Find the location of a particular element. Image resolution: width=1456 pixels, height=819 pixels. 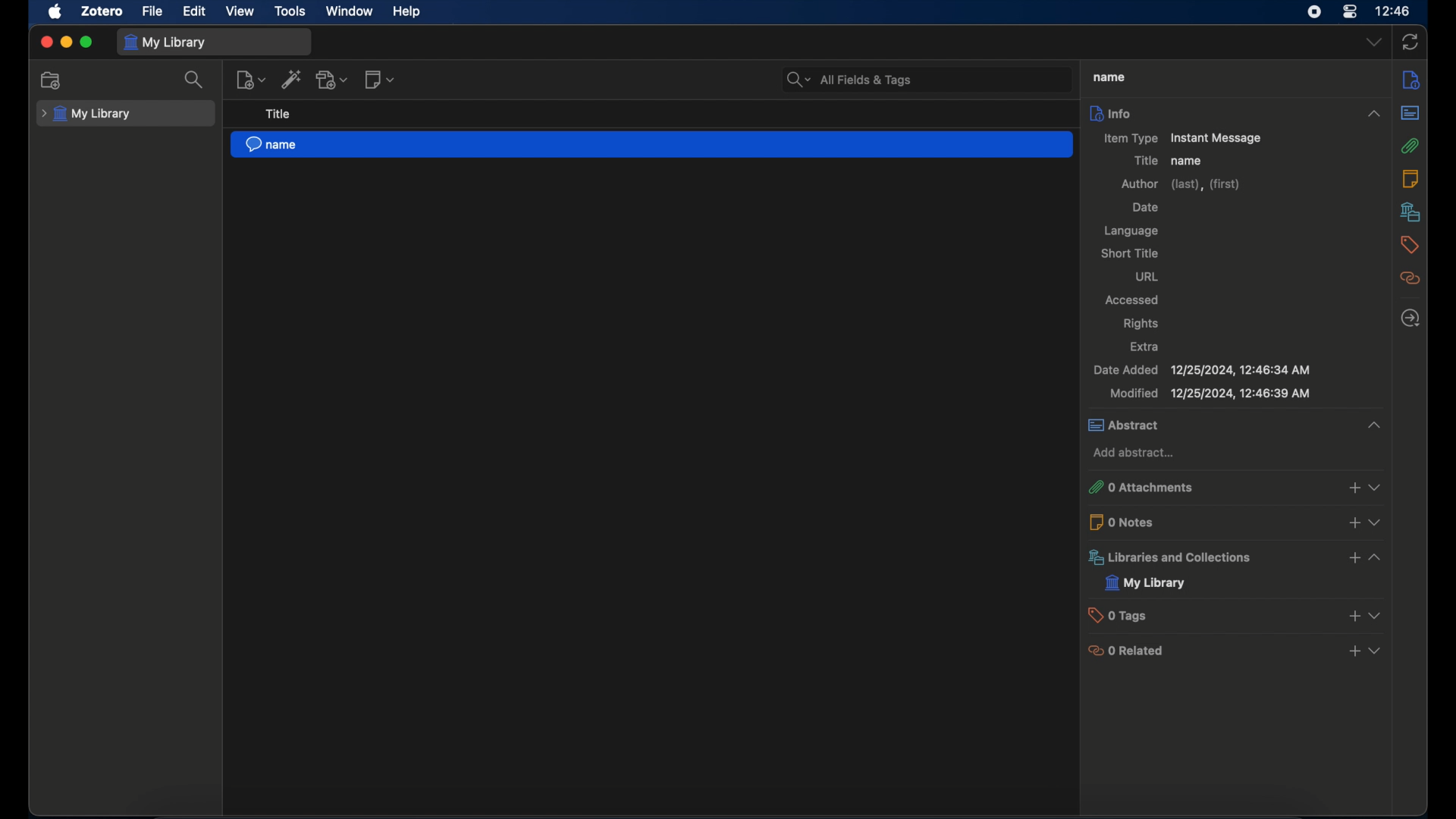

tags is located at coordinates (1410, 245).